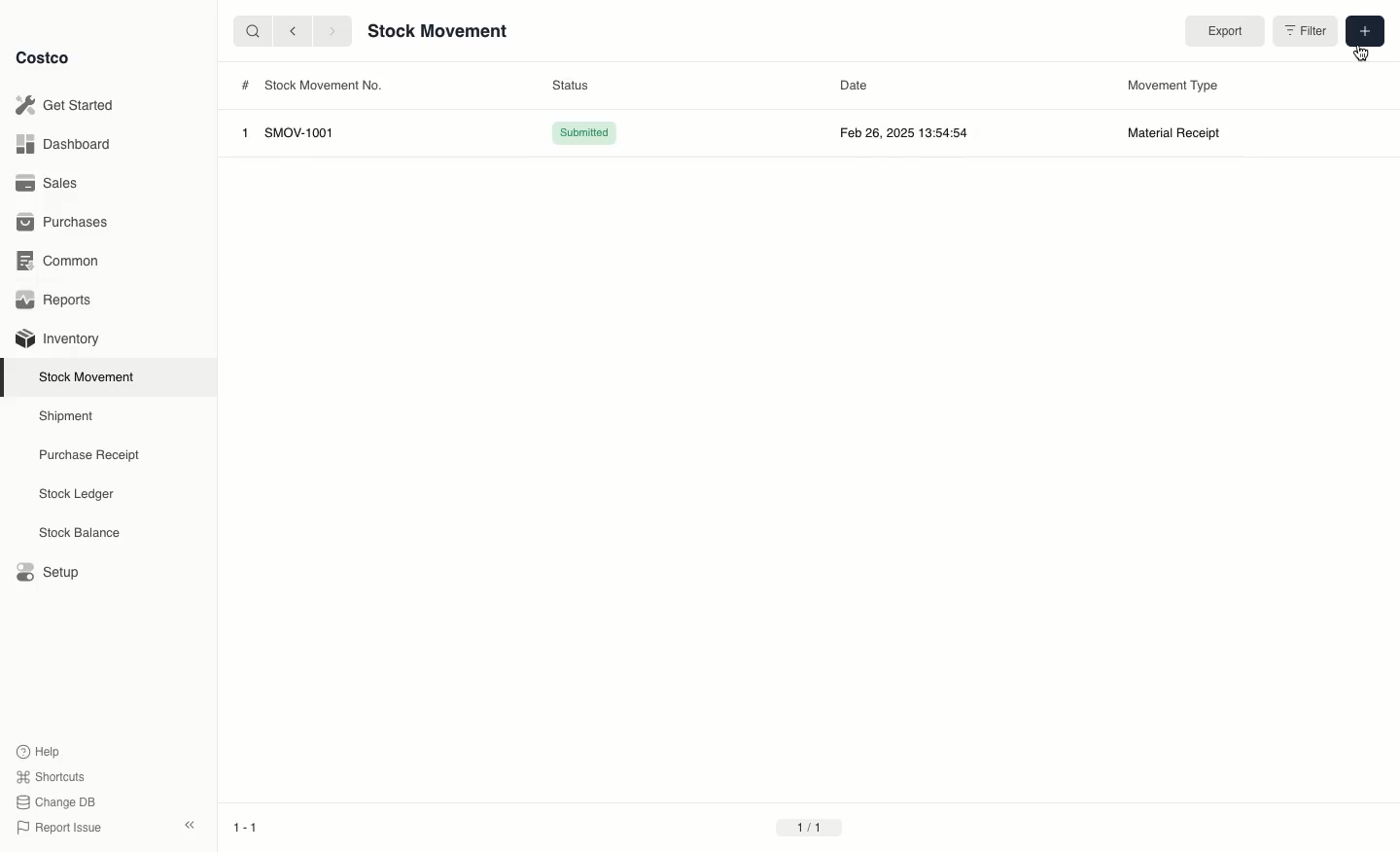 The image size is (1400, 852). Describe the element at coordinates (857, 86) in the screenshot. I see `Date` at that location.